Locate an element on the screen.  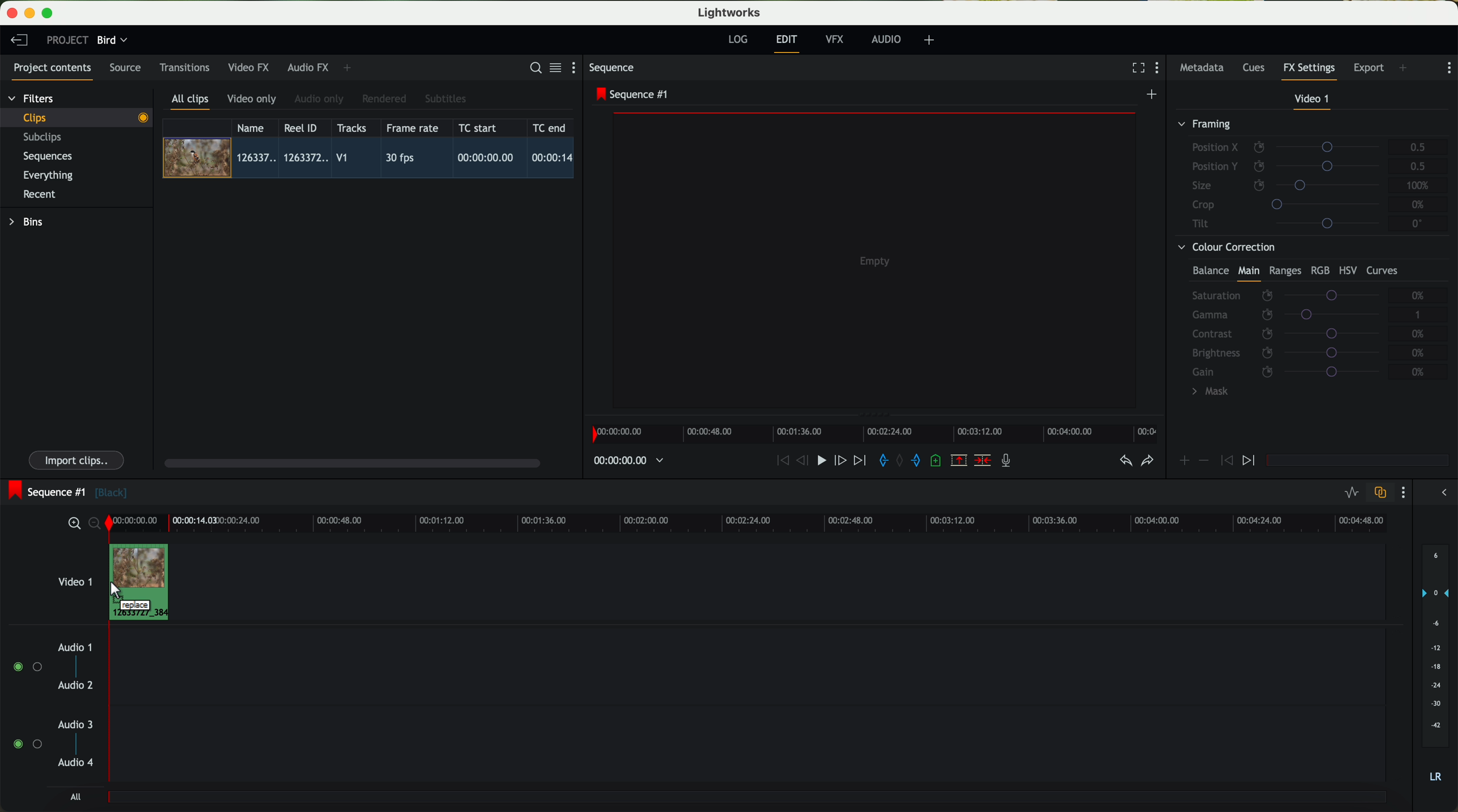
nudge one frame back is located at coordinates (804, 462).